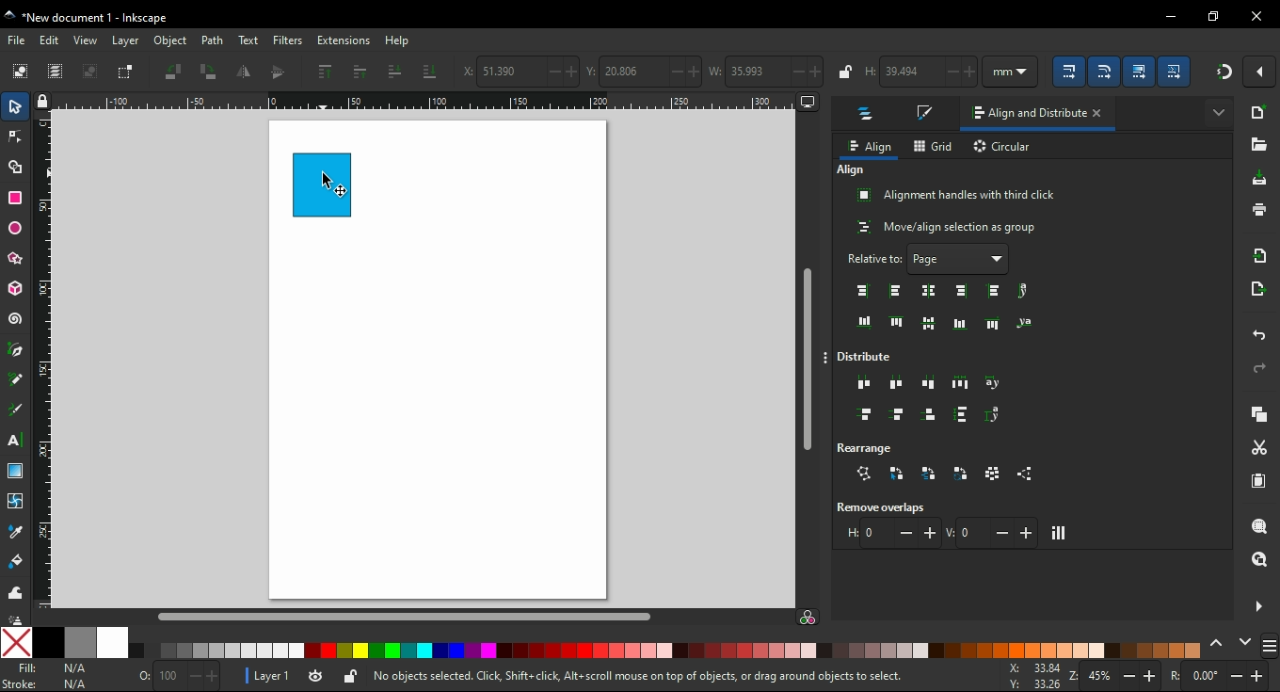 The height and width of the screenshot is (692, 1280). What do you see at coordinates (15, 319) in the screenshot?
I see `spiral tool` at bounding box center [15, 319].